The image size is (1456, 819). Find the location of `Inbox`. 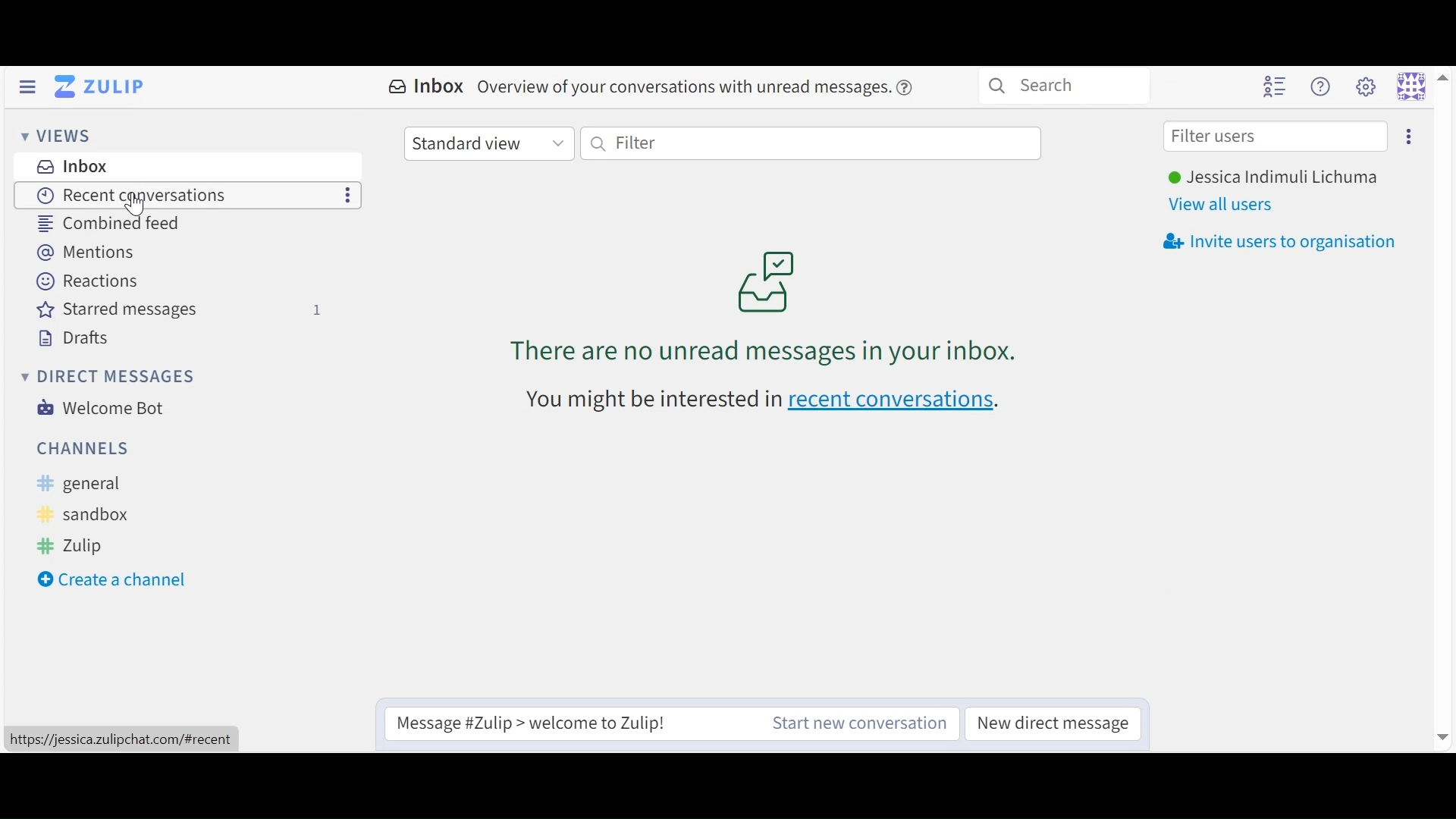

Inbox is located at coordinates (425, 88).